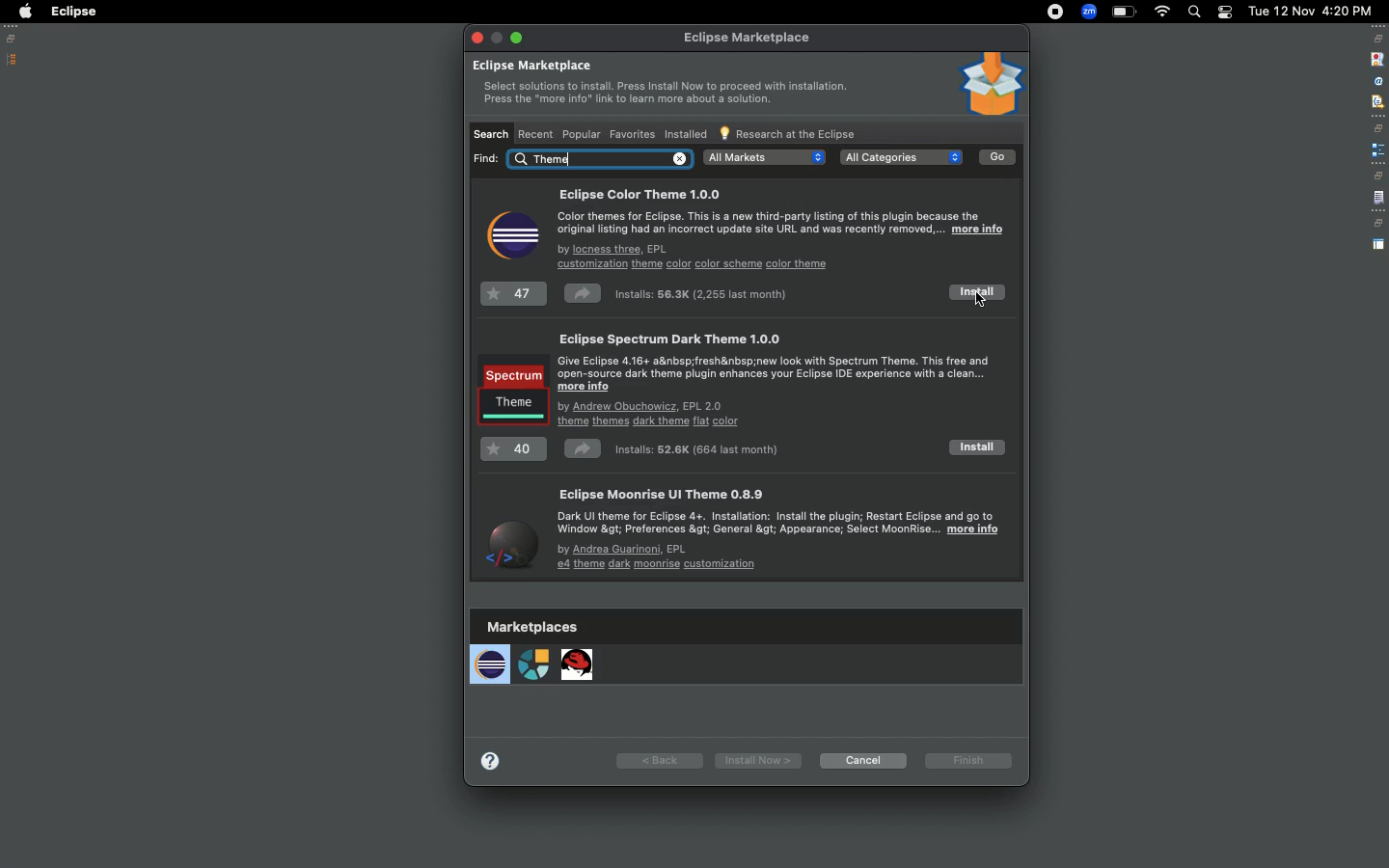 The image size is (1389, 868). Describe the element at coordinates (513, 388) in the screenshot. I see `Icon` at that location.